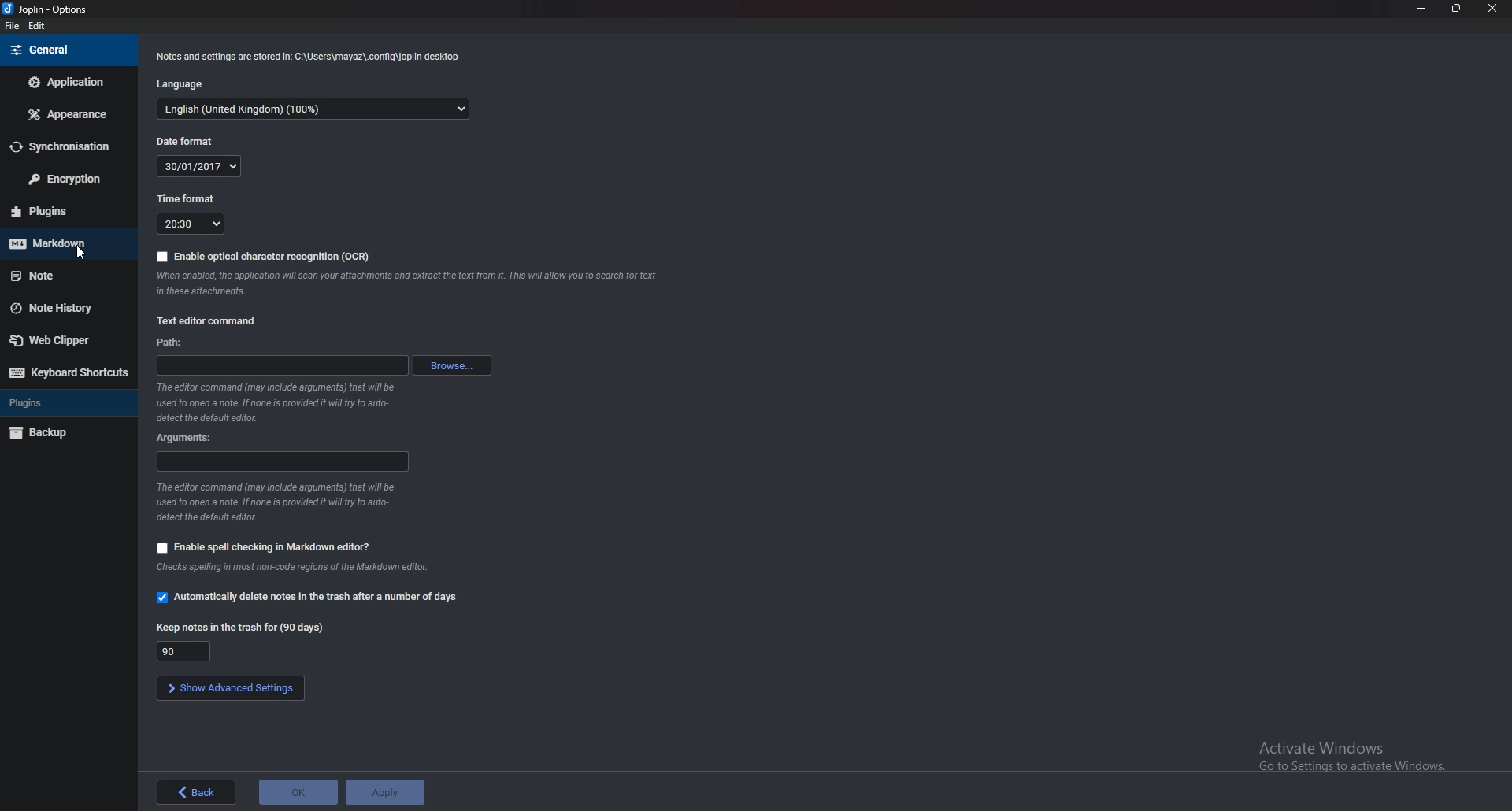 The image size is (1512, 811). I want to click on cursor, so click(77, 252).